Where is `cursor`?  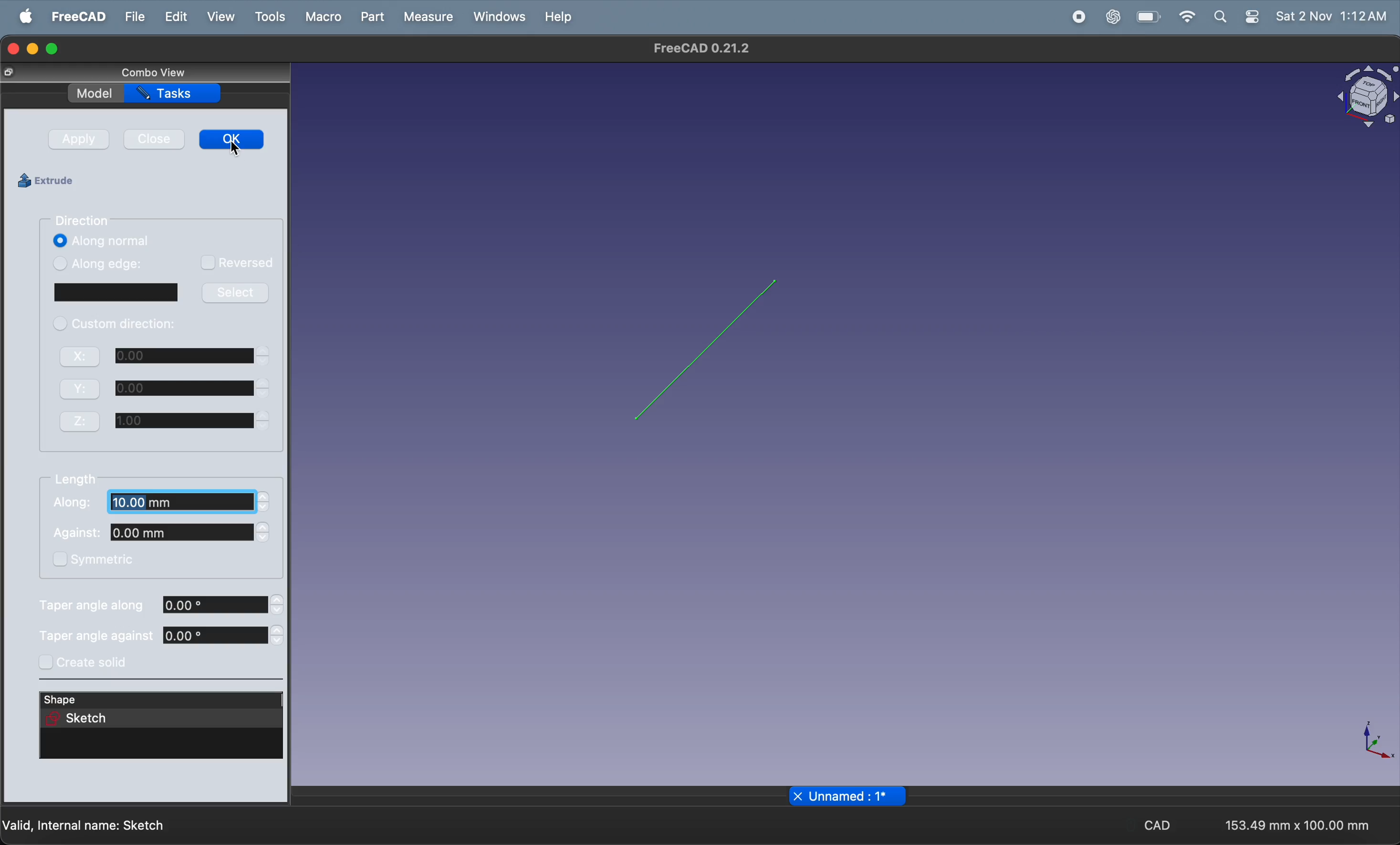
cursor is located at coordinates (234, 151).